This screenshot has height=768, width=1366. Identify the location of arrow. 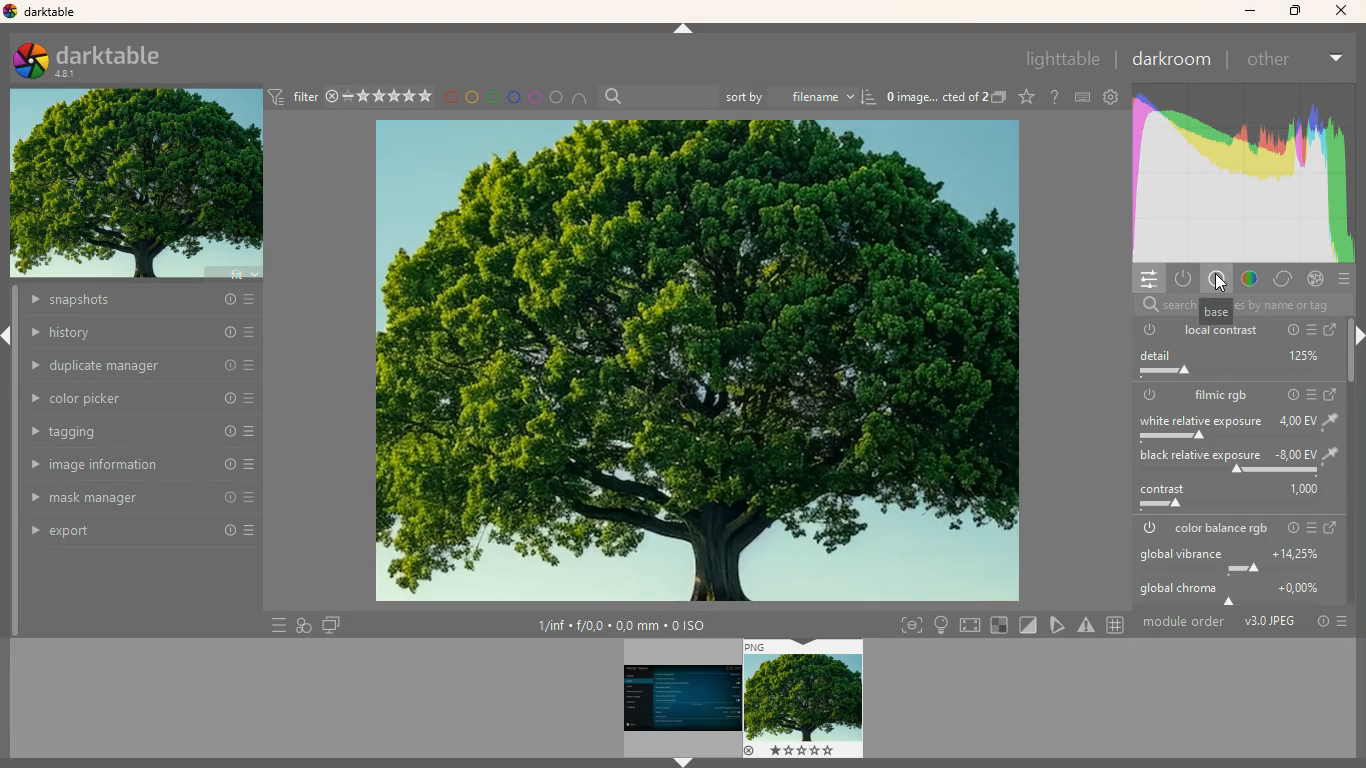
(9, 336).